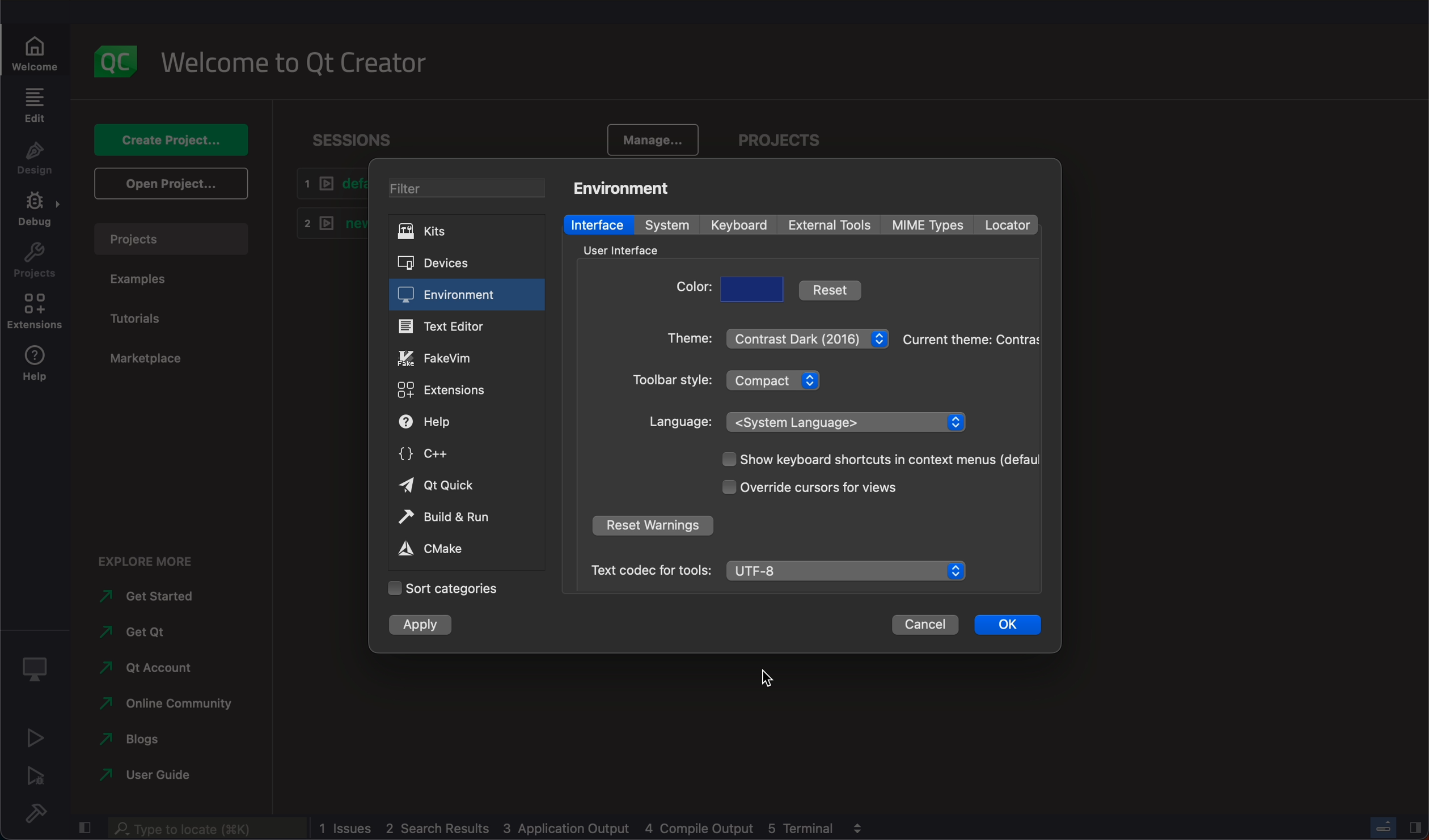 Image resolution: width=1429 pixels, height=840 pixels. Describe the element at coordinates (969, 338) in the screenshot. I see `theme` at that location.